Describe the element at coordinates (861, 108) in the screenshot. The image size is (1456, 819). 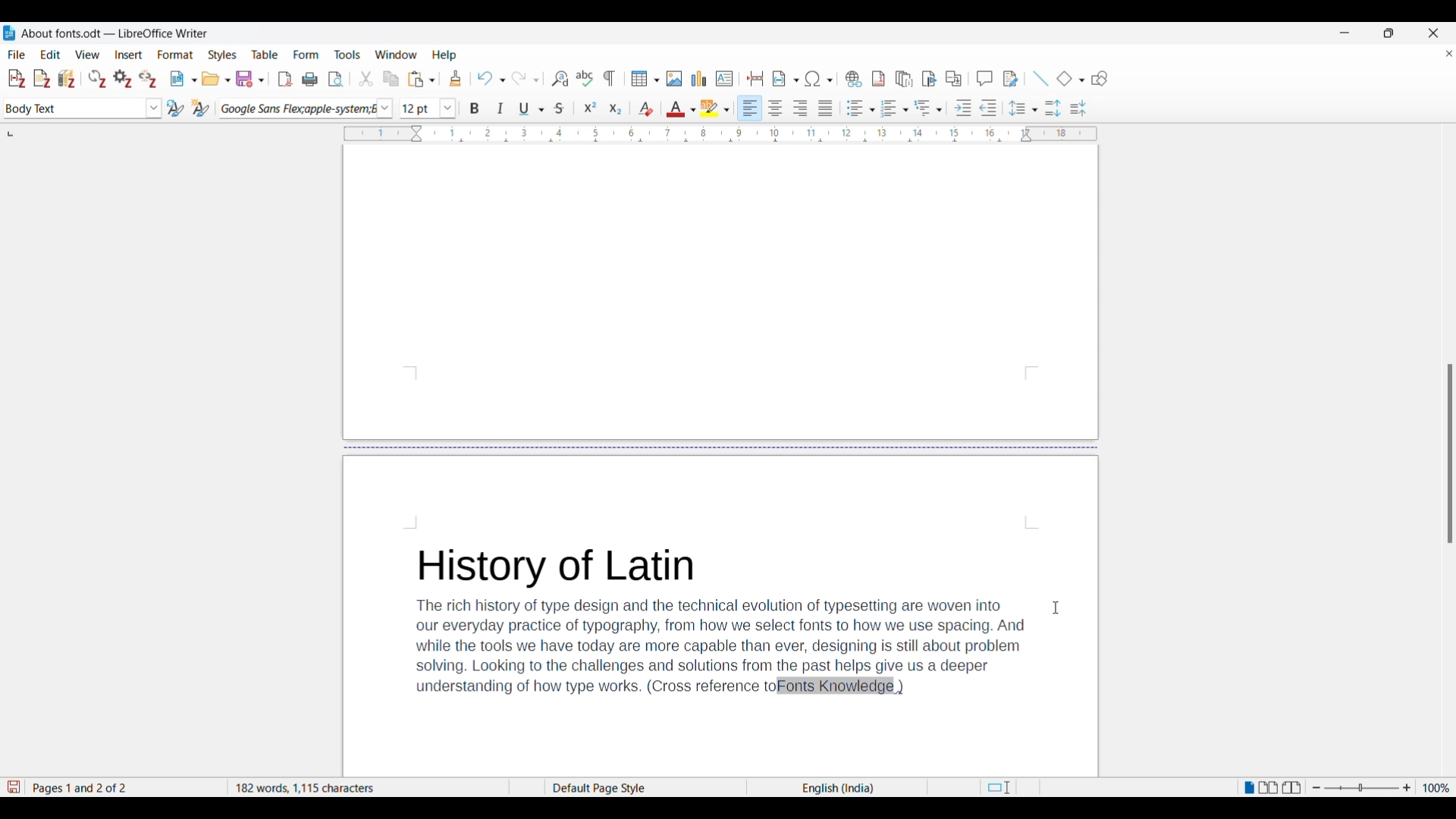
I see `Toggle unordered list` at that location.